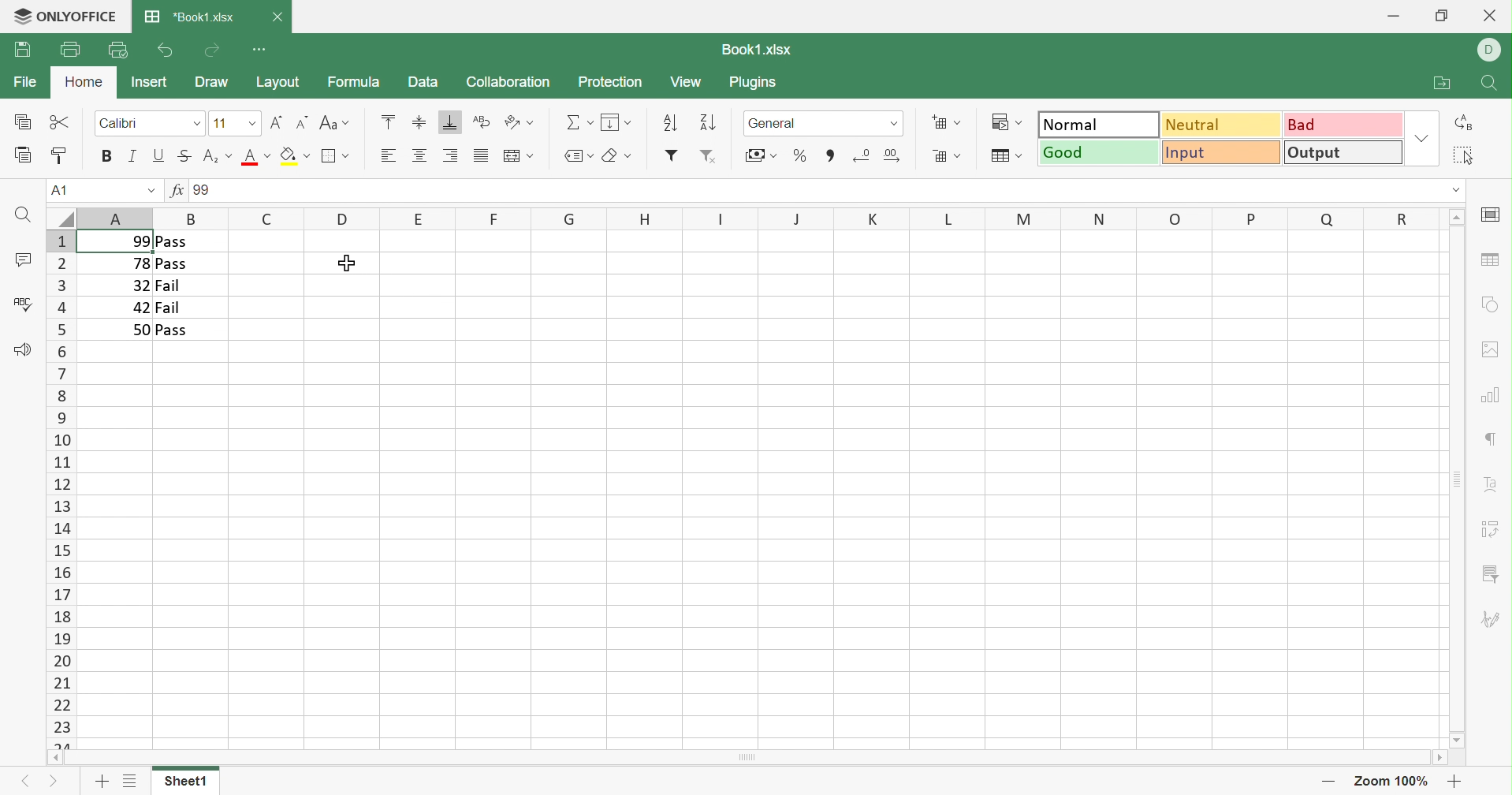 Image resolution: width=1512 pixels, height=795 pixels. I want to click on Close, so click(277, 19).